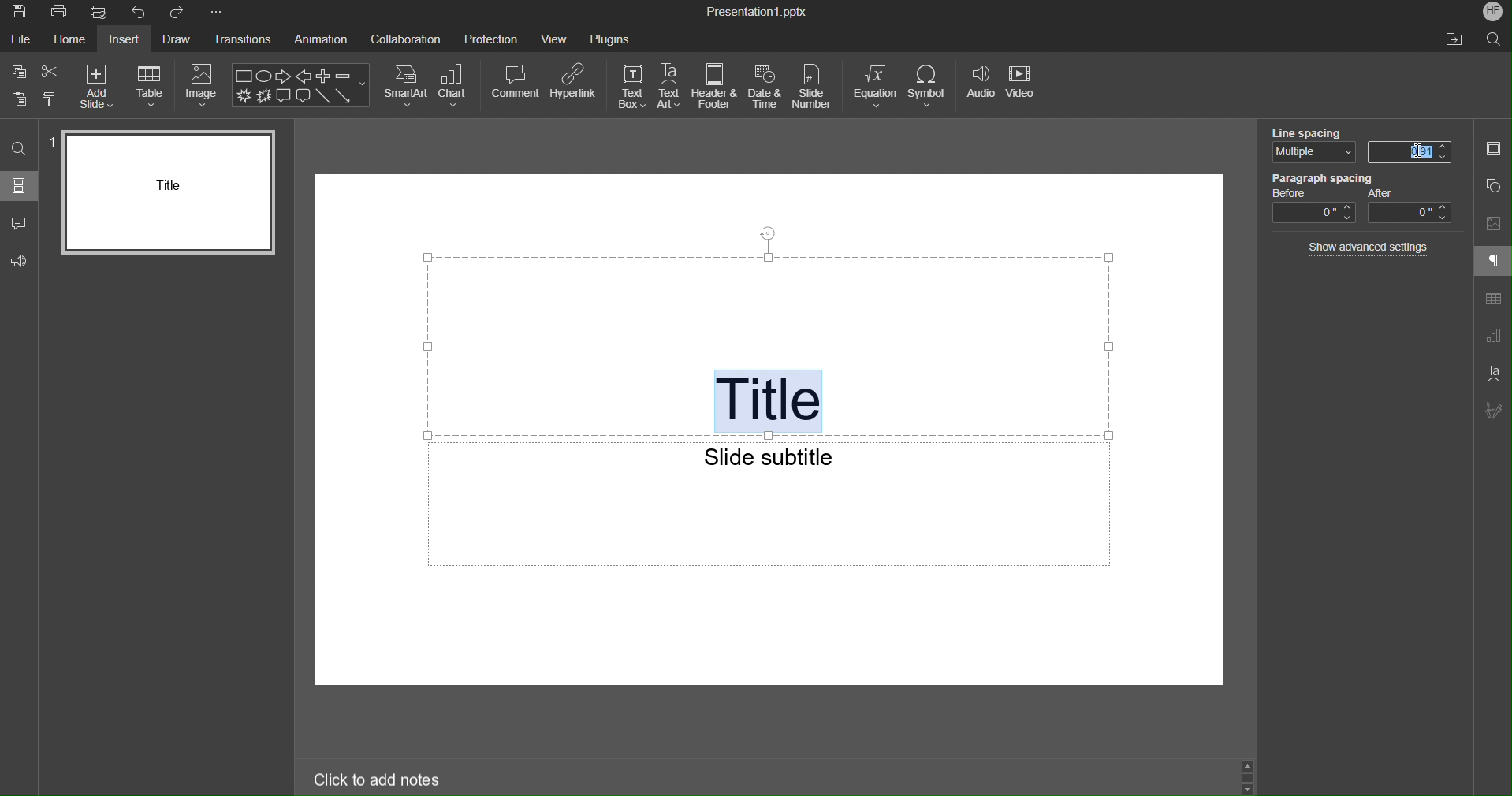 Image resolution: width=1512 pixels, height=796 pixels. Describe the element at coordinates (180, 13) in the screenshot. I see `Redo` at that location.